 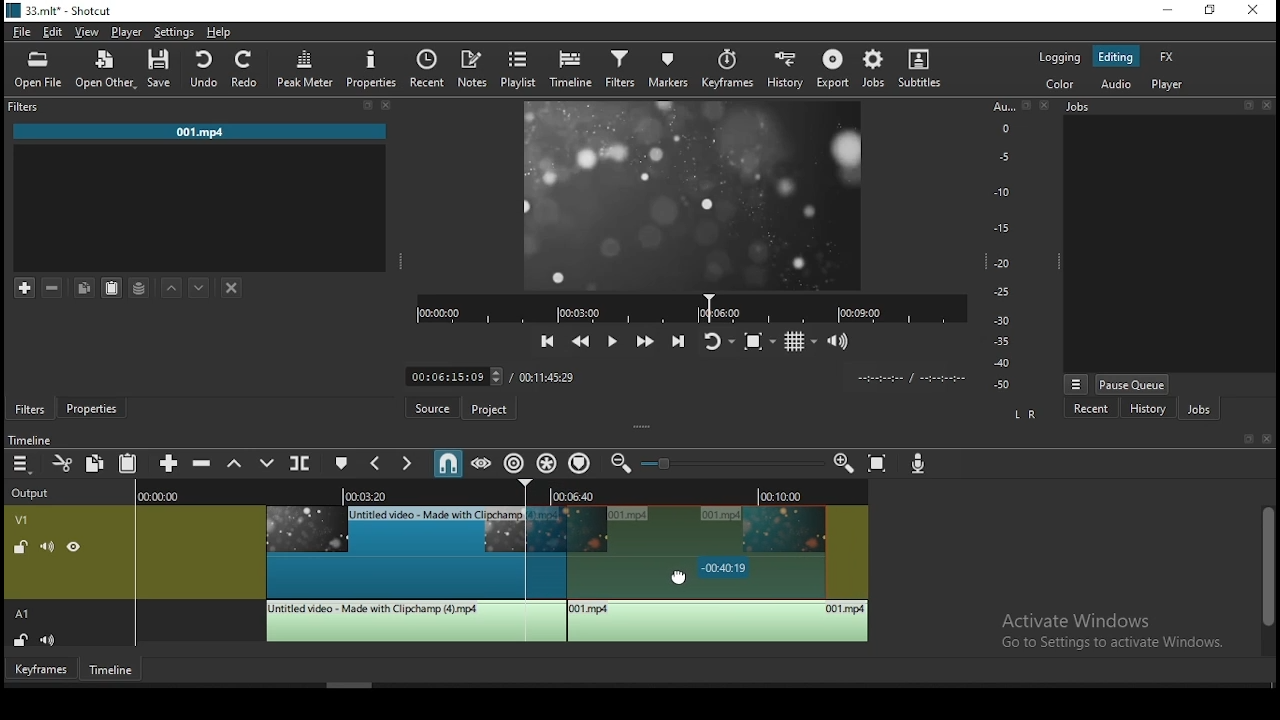 What do you see at coordinates (1167, 58) in the screenshot?
I see `fx` at bounding box center [1167, 58].